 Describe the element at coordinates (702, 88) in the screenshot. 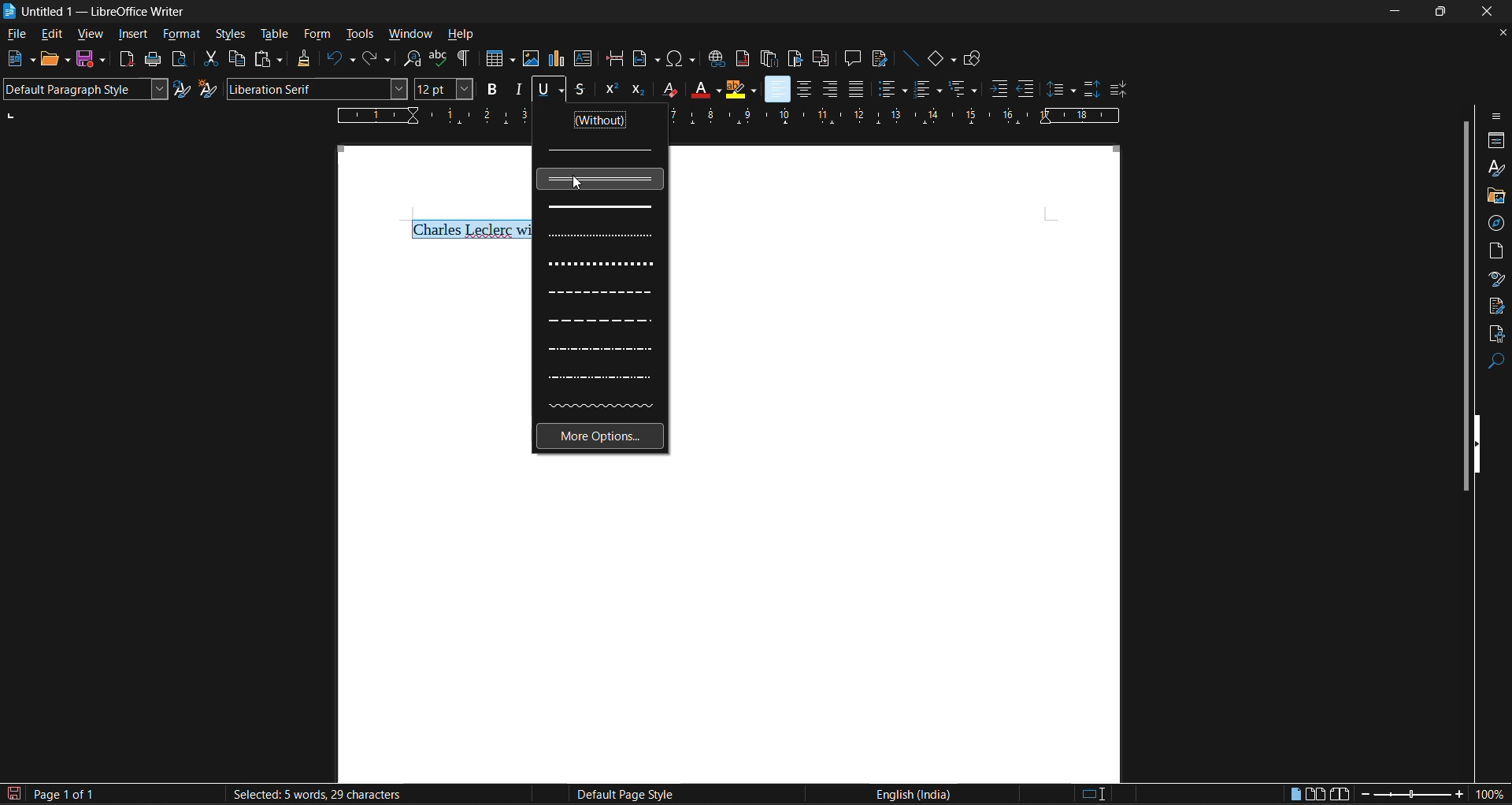

I see `font color` at that location.